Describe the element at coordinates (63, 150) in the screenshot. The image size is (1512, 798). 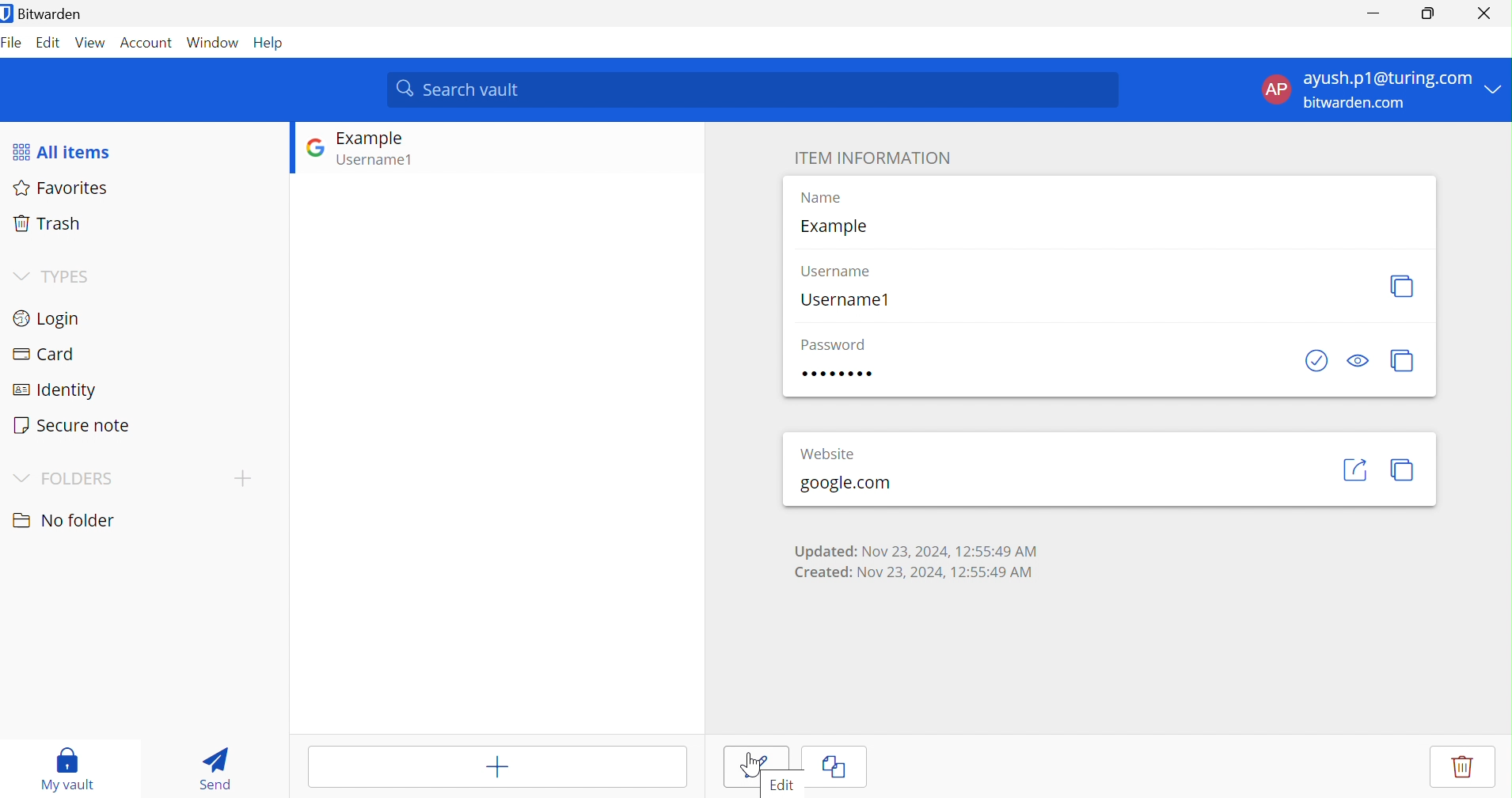
I see `All items` at that location.